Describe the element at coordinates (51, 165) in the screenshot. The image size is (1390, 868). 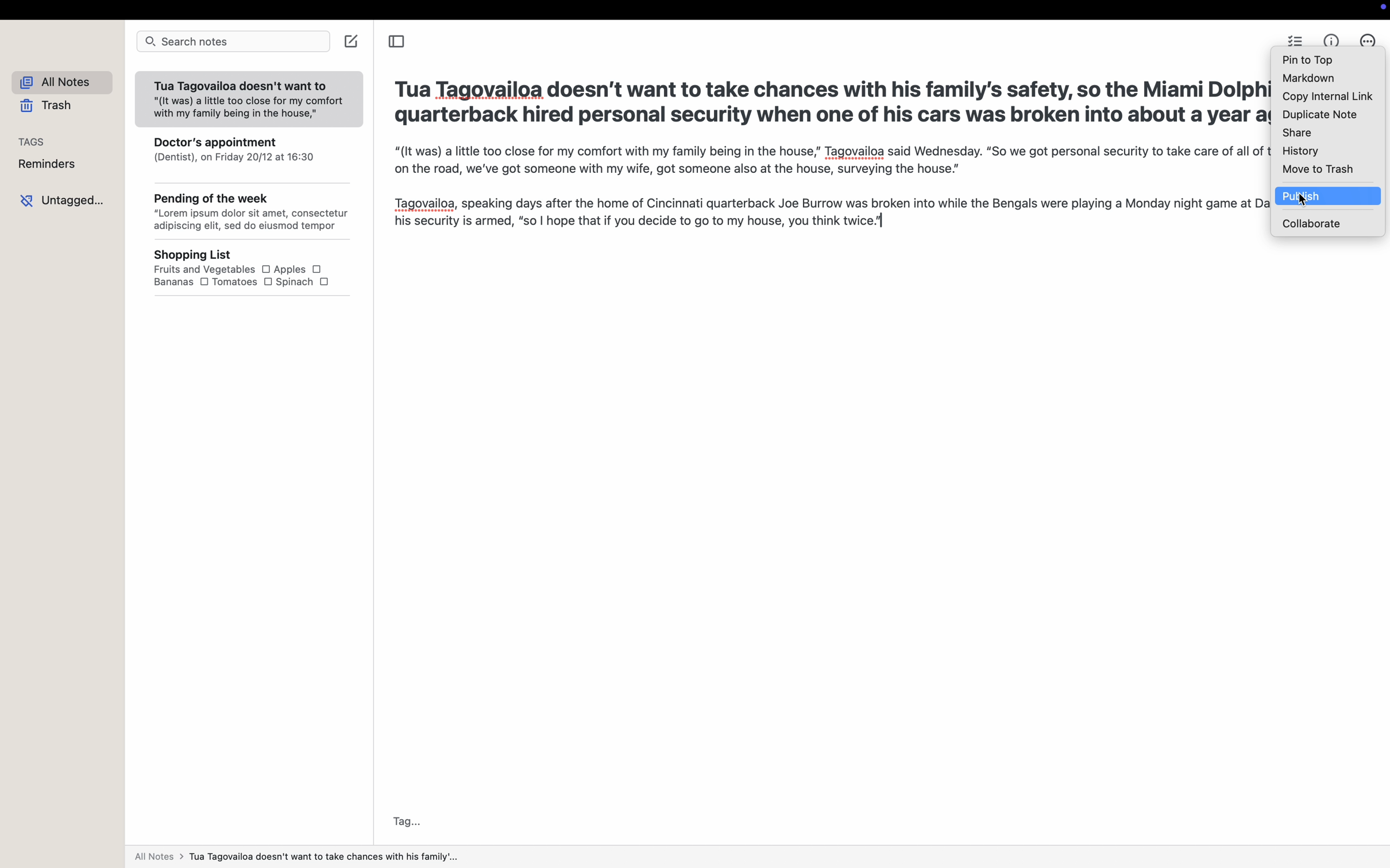
I see `reminders` at that location.